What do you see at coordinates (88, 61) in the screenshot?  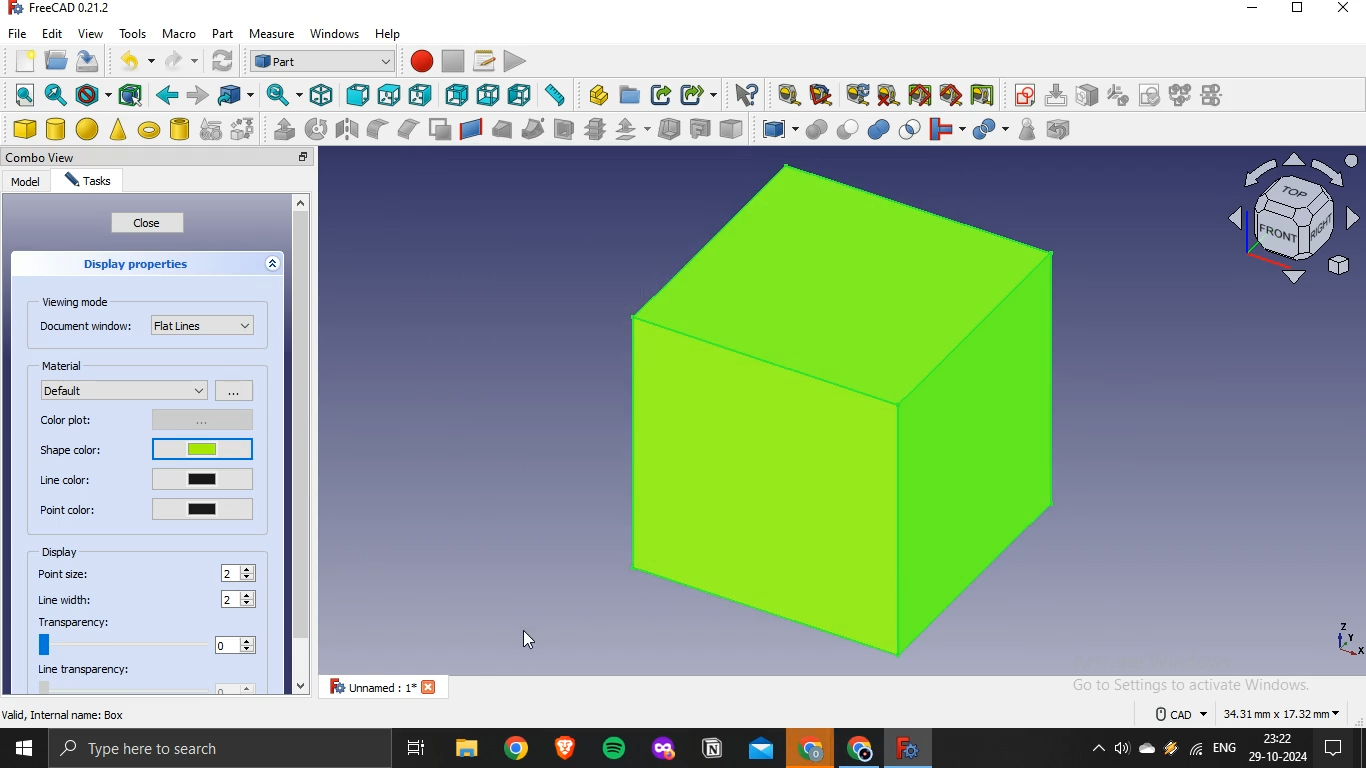 I see `save file` at bounding box center [88, 61].